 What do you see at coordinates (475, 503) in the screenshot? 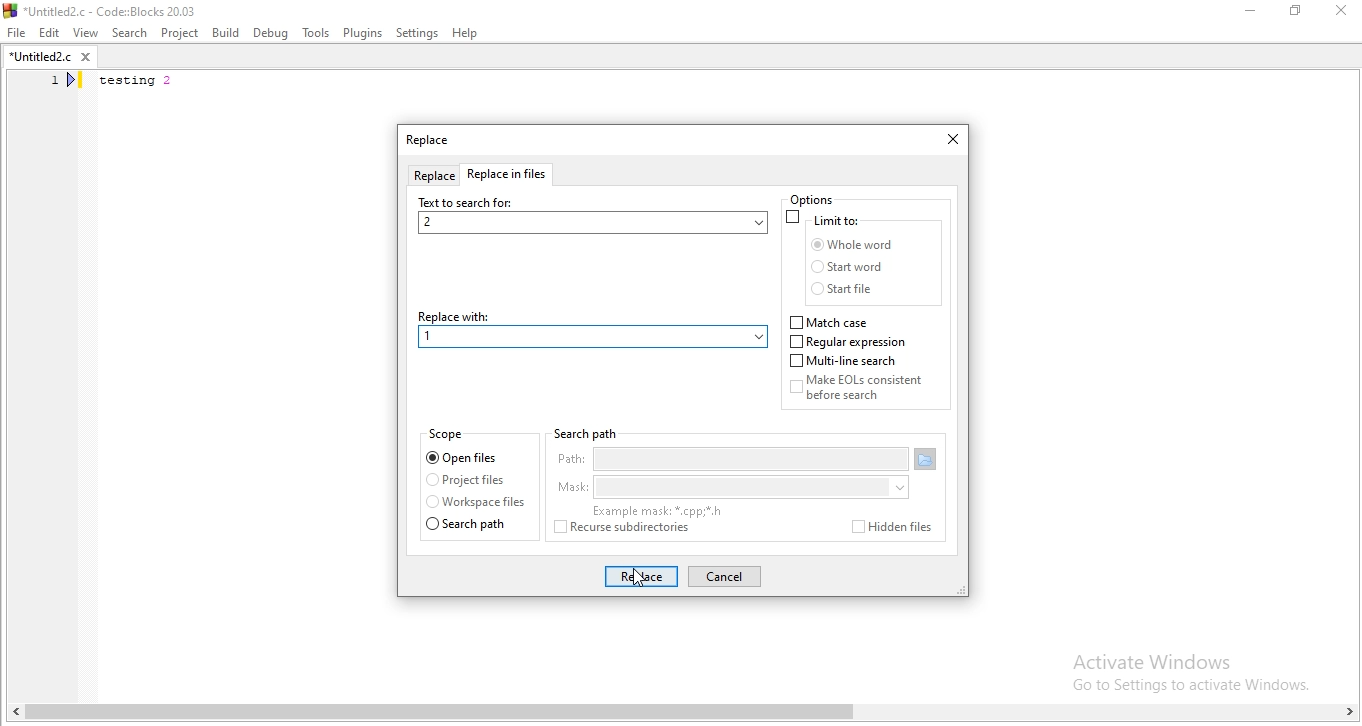
I see `workspace files` at bounding box center [475, 503].